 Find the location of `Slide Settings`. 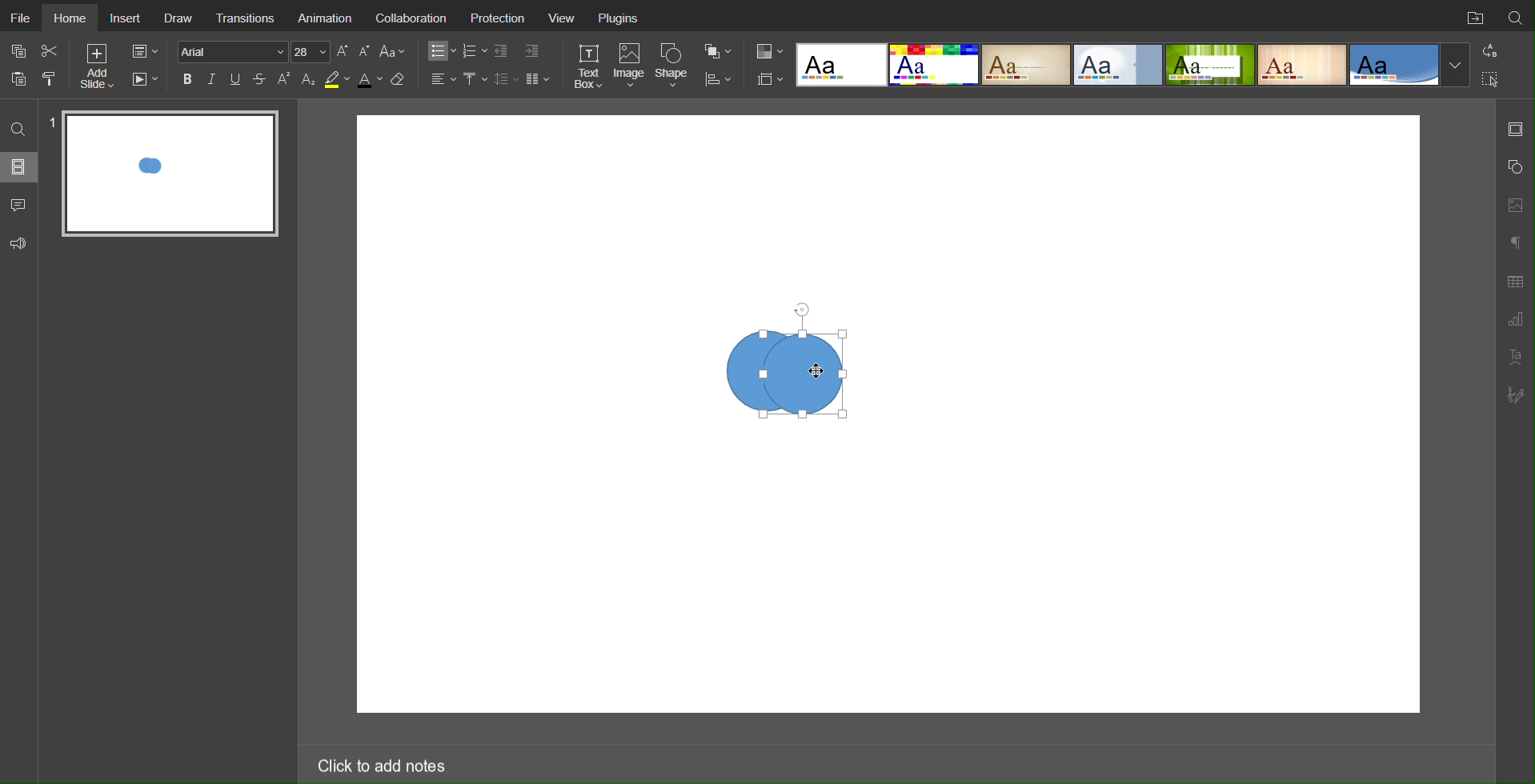

Slide Settings is located at coordinates (143, 52).